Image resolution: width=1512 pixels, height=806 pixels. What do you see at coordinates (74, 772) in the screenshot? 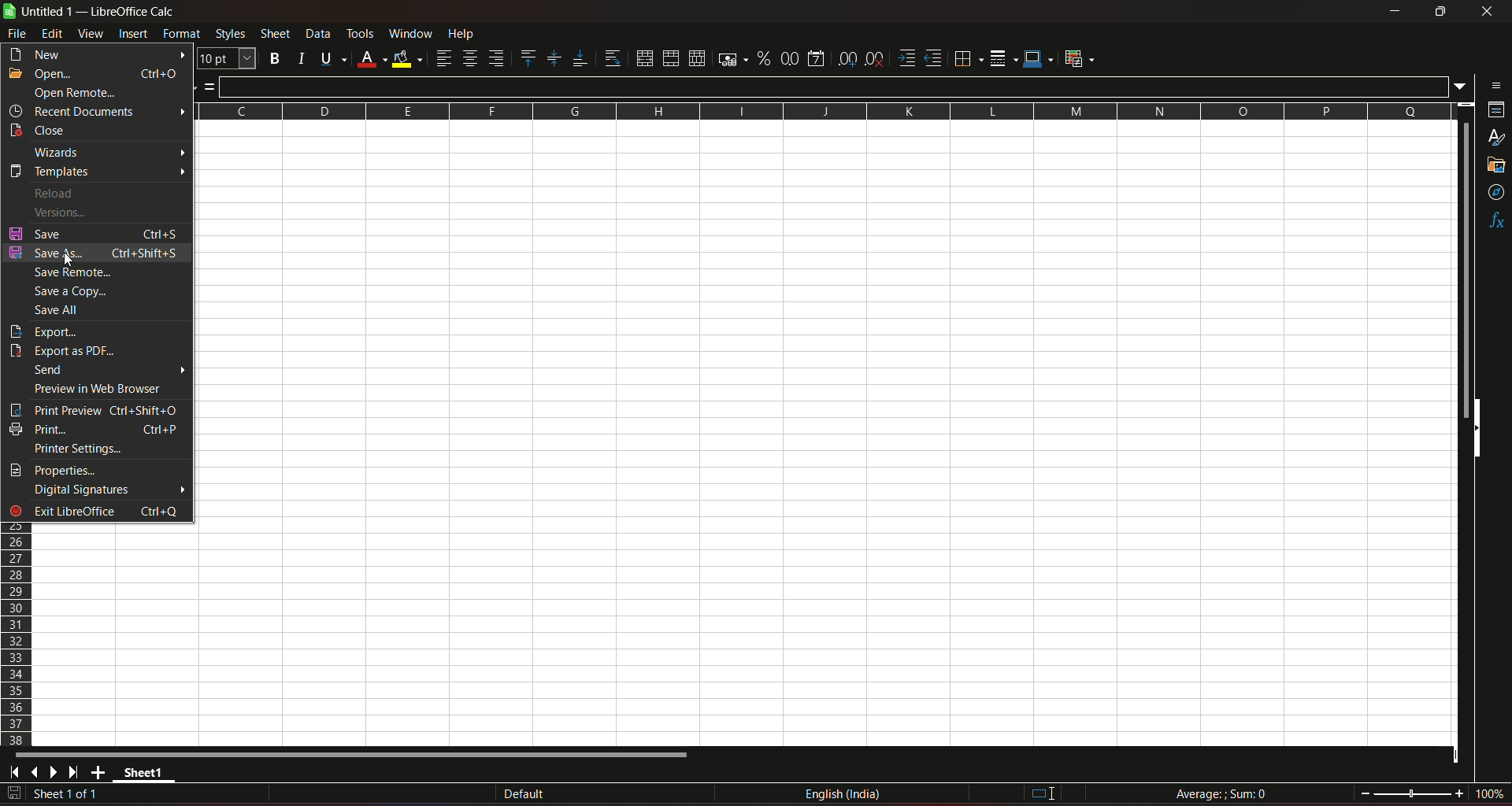
I see `last sheet` at bounding box center [74, 772].